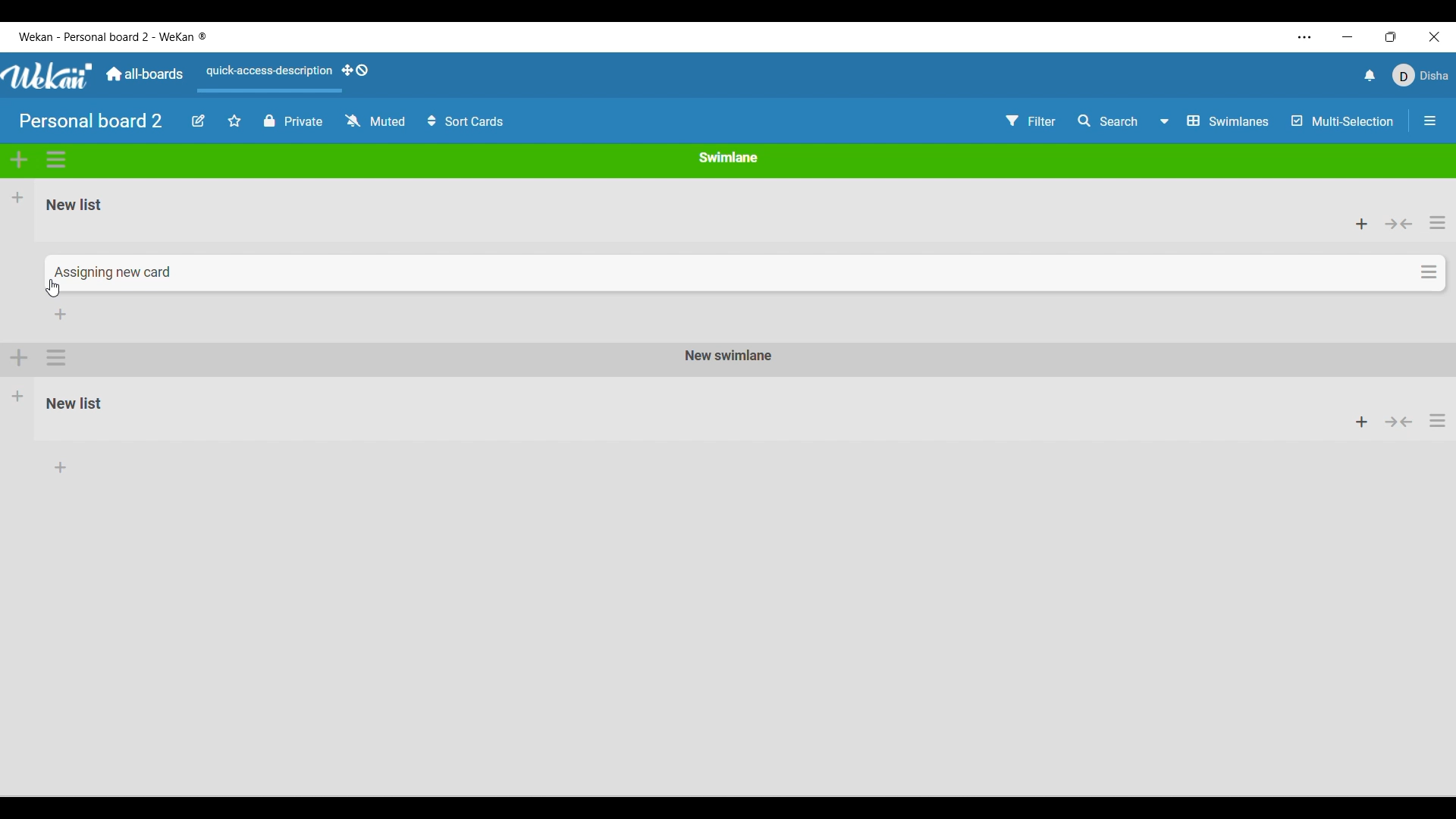 The height and width of the screenshot is (819, 1456). What do you see at coordinates (728, 157) in the screenshot?
I see `Current swimlane` at bounding box center [728, 157].